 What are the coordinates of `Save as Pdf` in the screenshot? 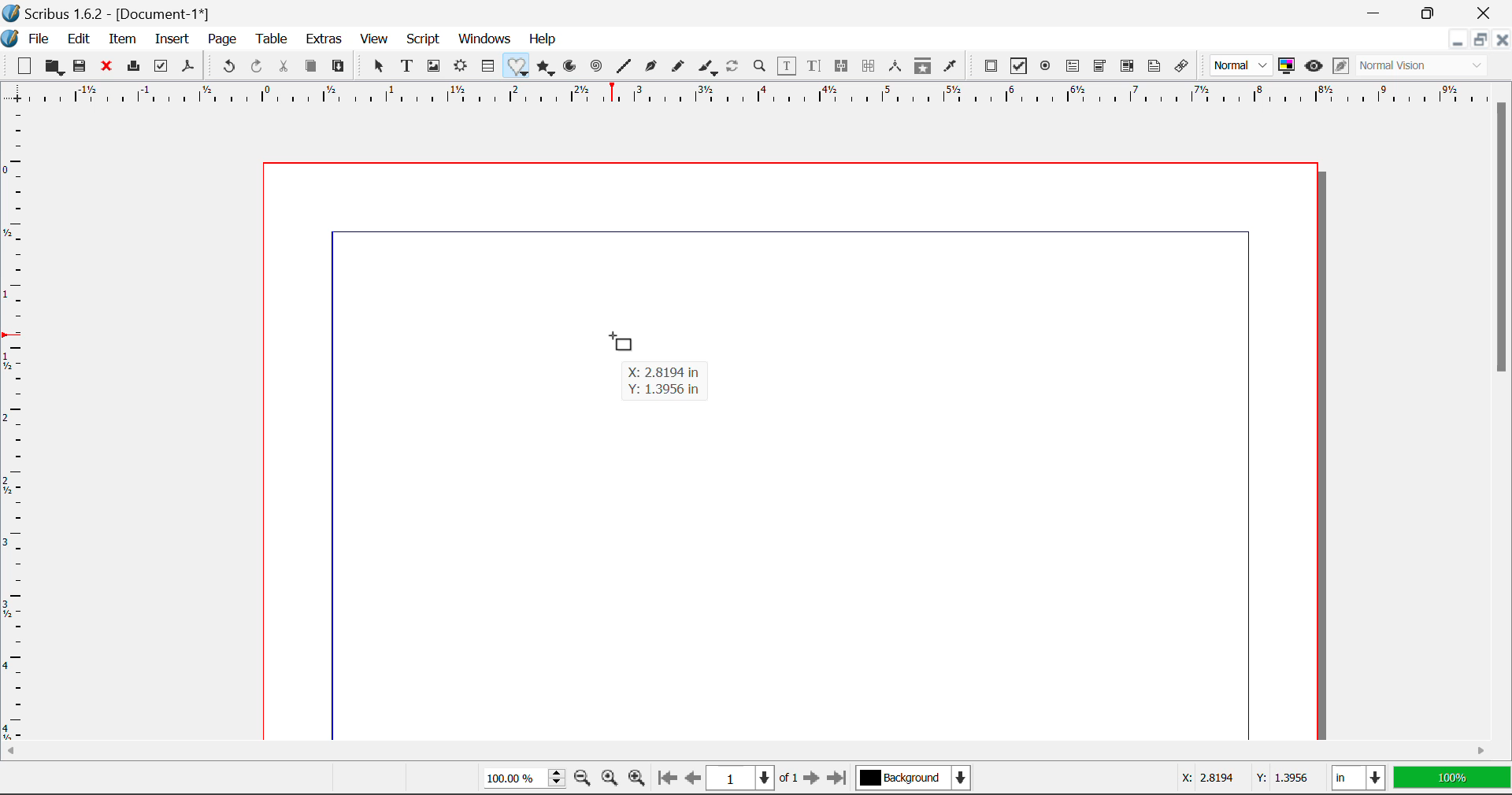 It's located at (187, 68).